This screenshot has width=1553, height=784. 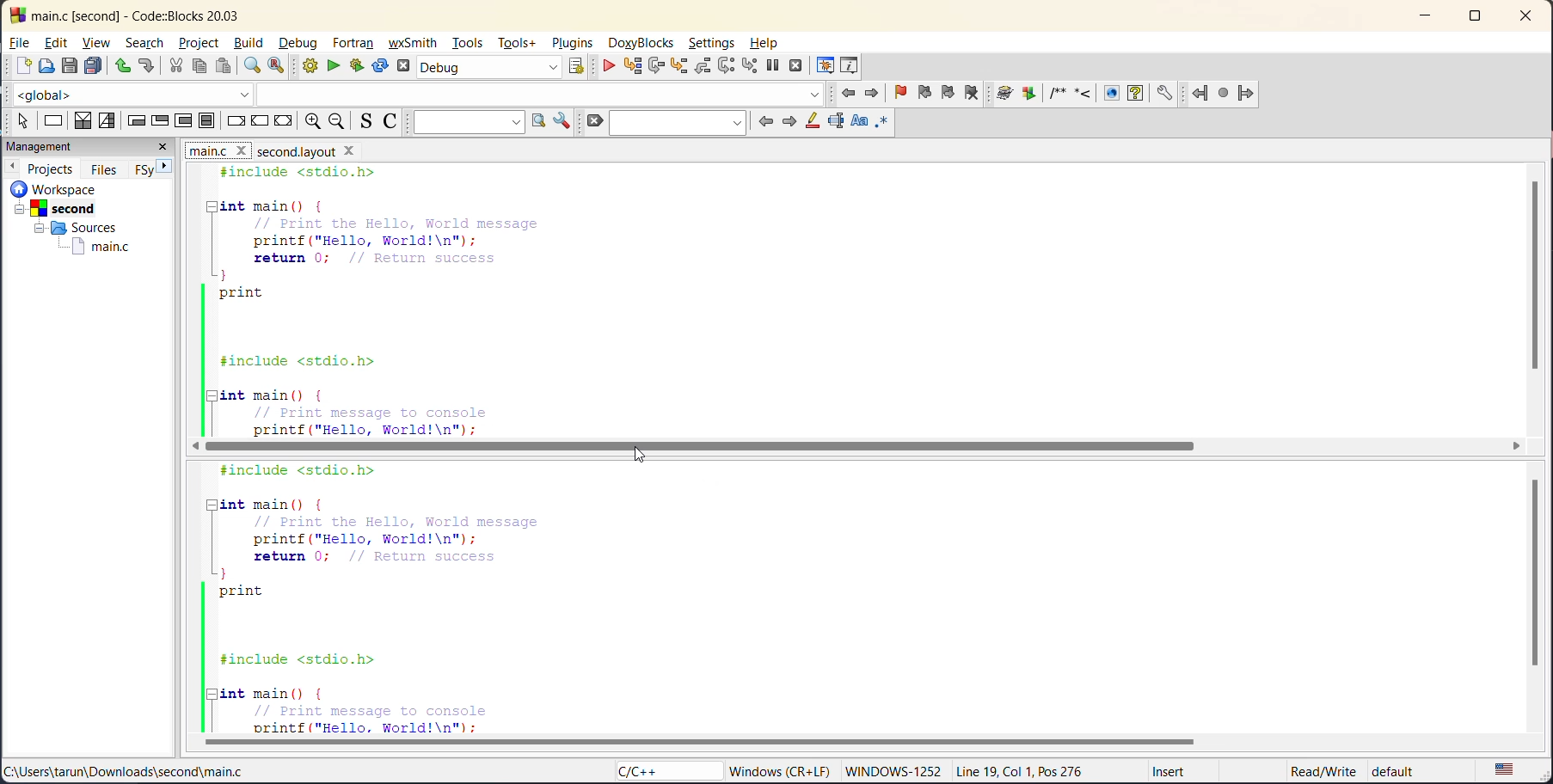 I want to click on search, so click(x=144, y=42).